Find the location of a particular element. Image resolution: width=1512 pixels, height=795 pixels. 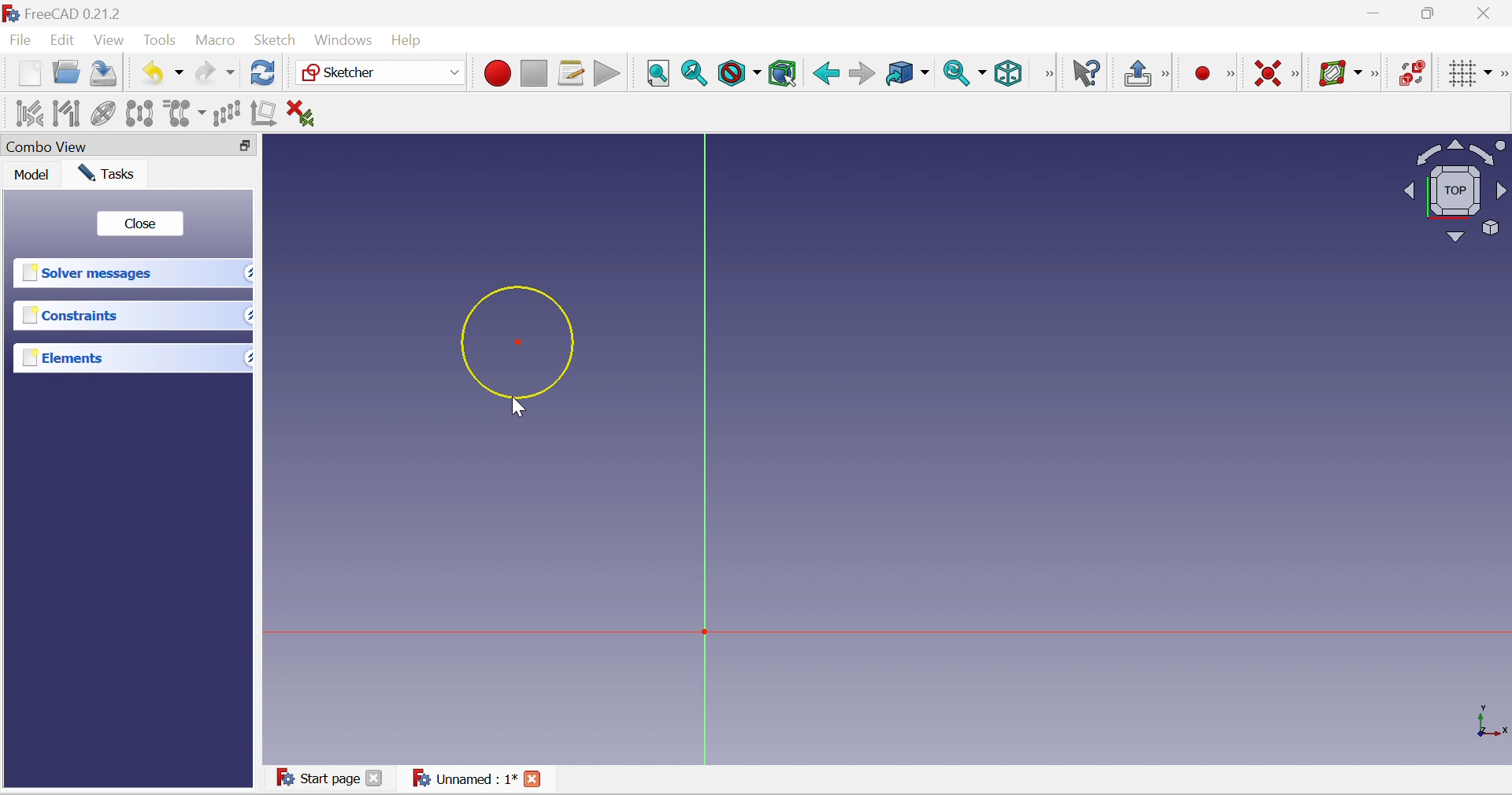

Redo is located at coordinates (213, 75).